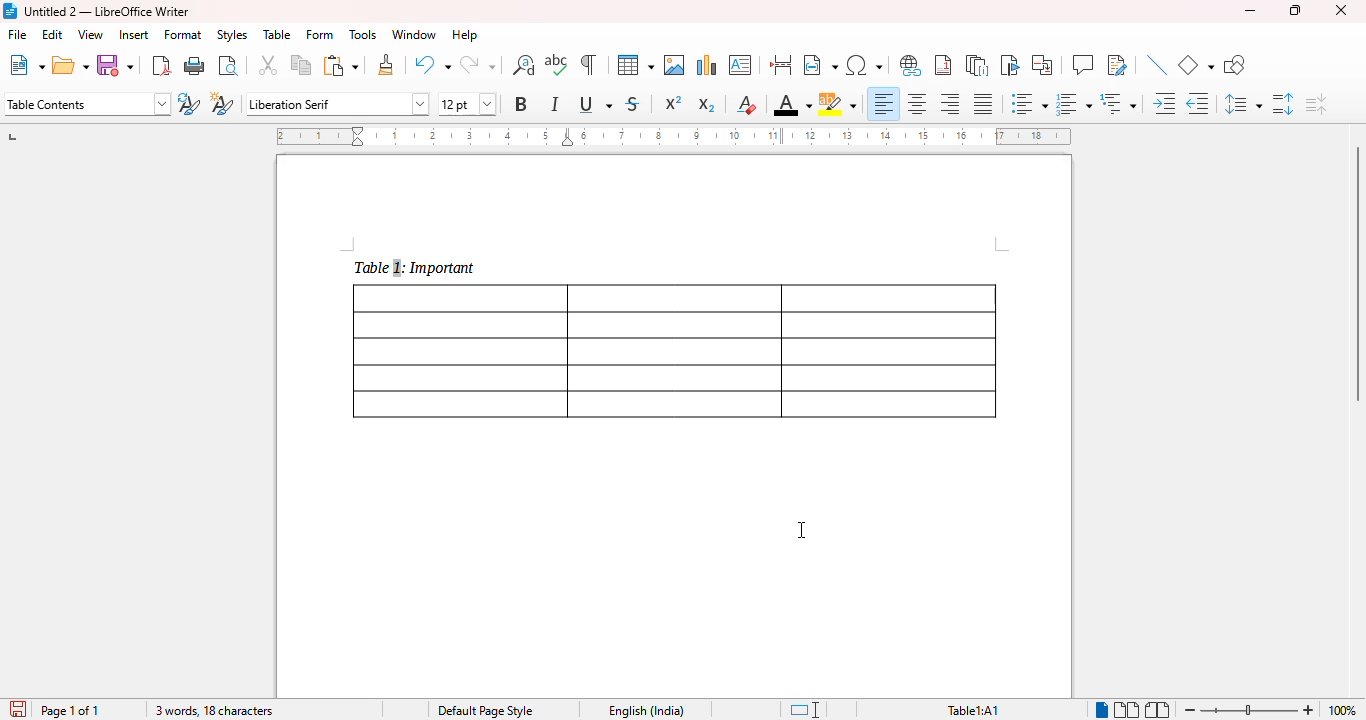 This screenshot has width=1366, height=720. I want to click on caption added to table, so click(413, 267).